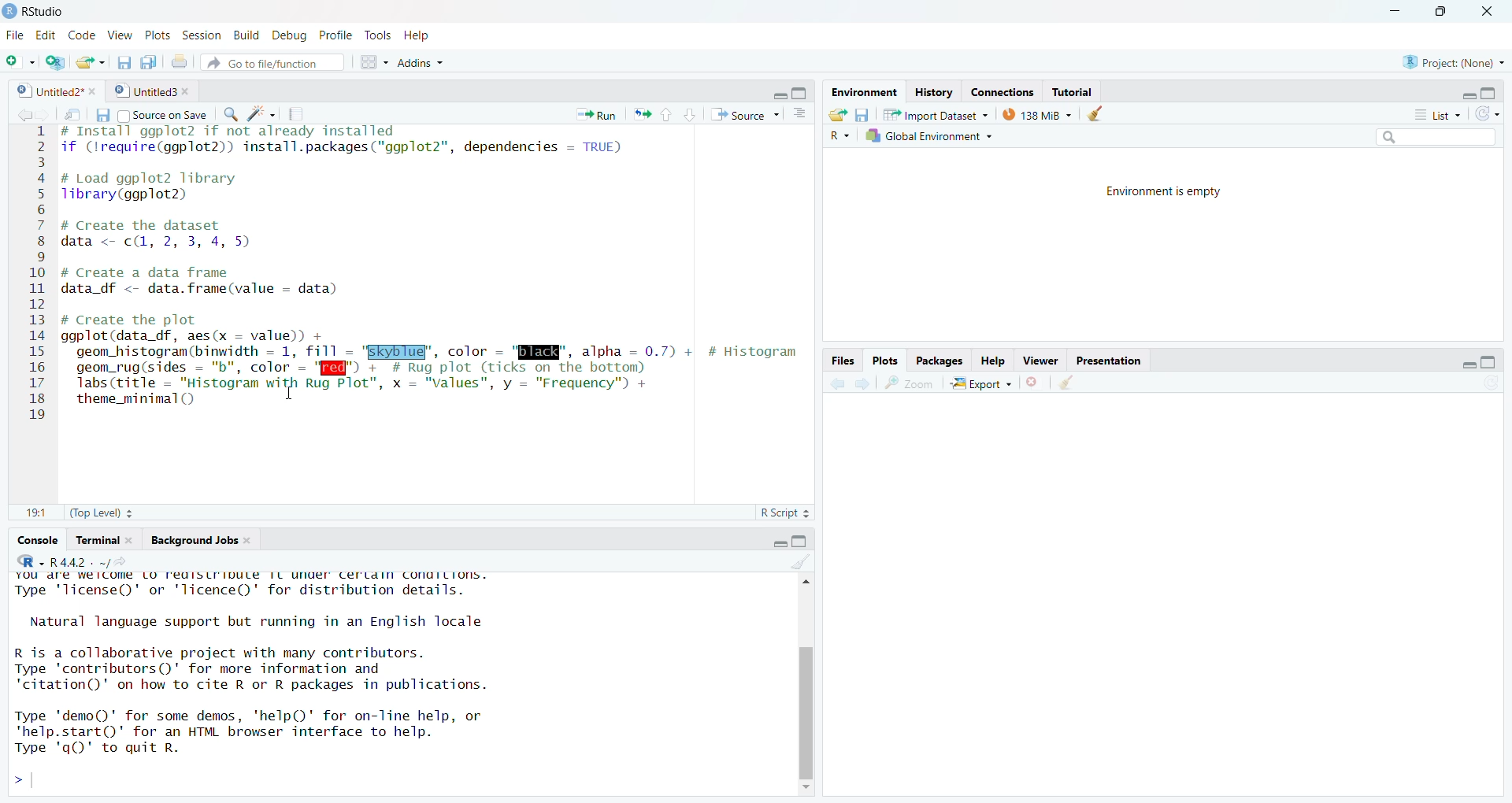  What do you see at coordinates (987, 361) in the screenshot?
I see `Help` at bounding box center [987, 361].